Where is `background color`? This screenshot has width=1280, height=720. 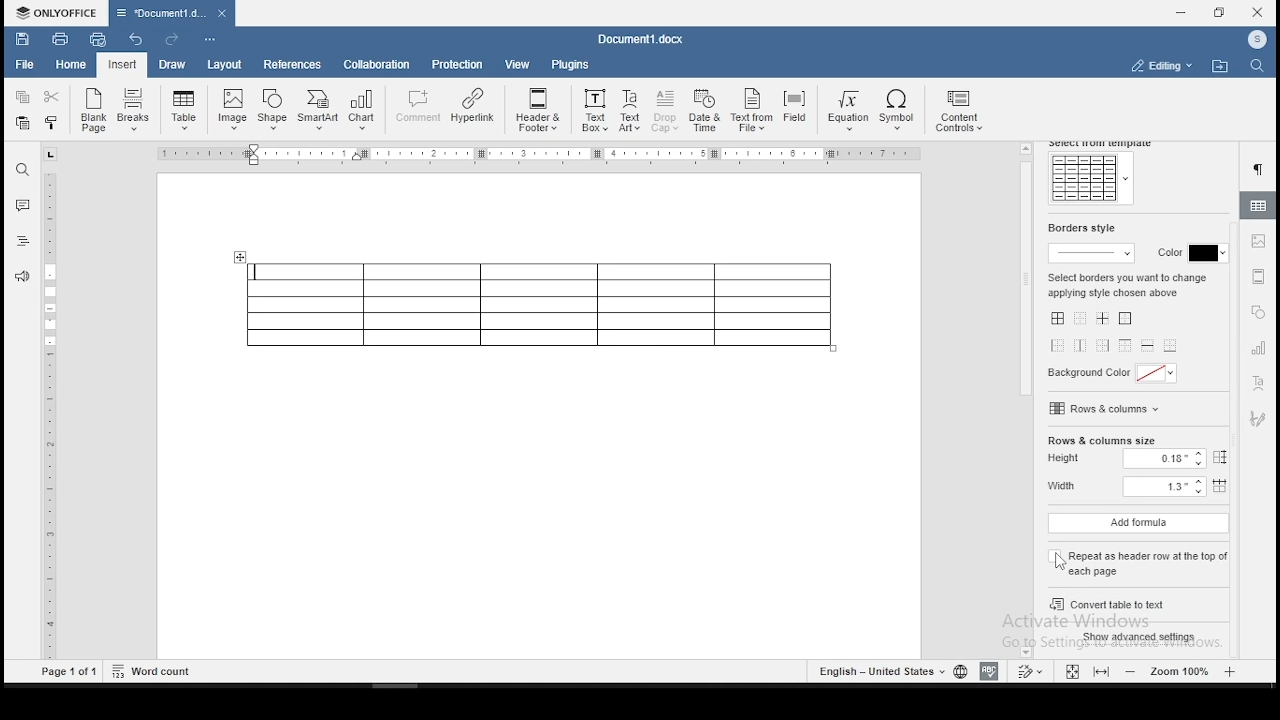
background color is located at coordinates (1115, 375).